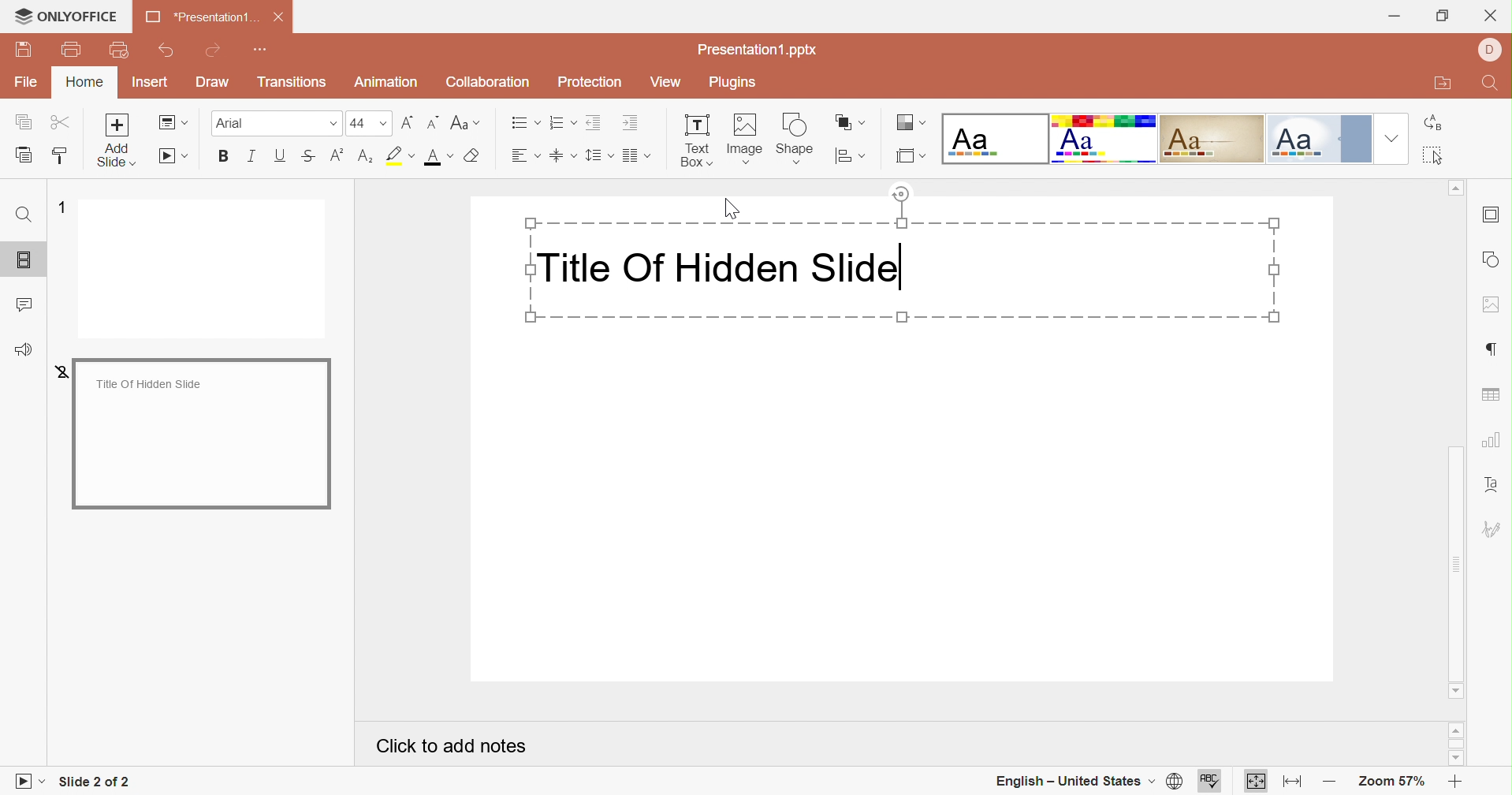  Describe the element at coordinates (749, 140) in the screenshot. I see `Image` at that location.